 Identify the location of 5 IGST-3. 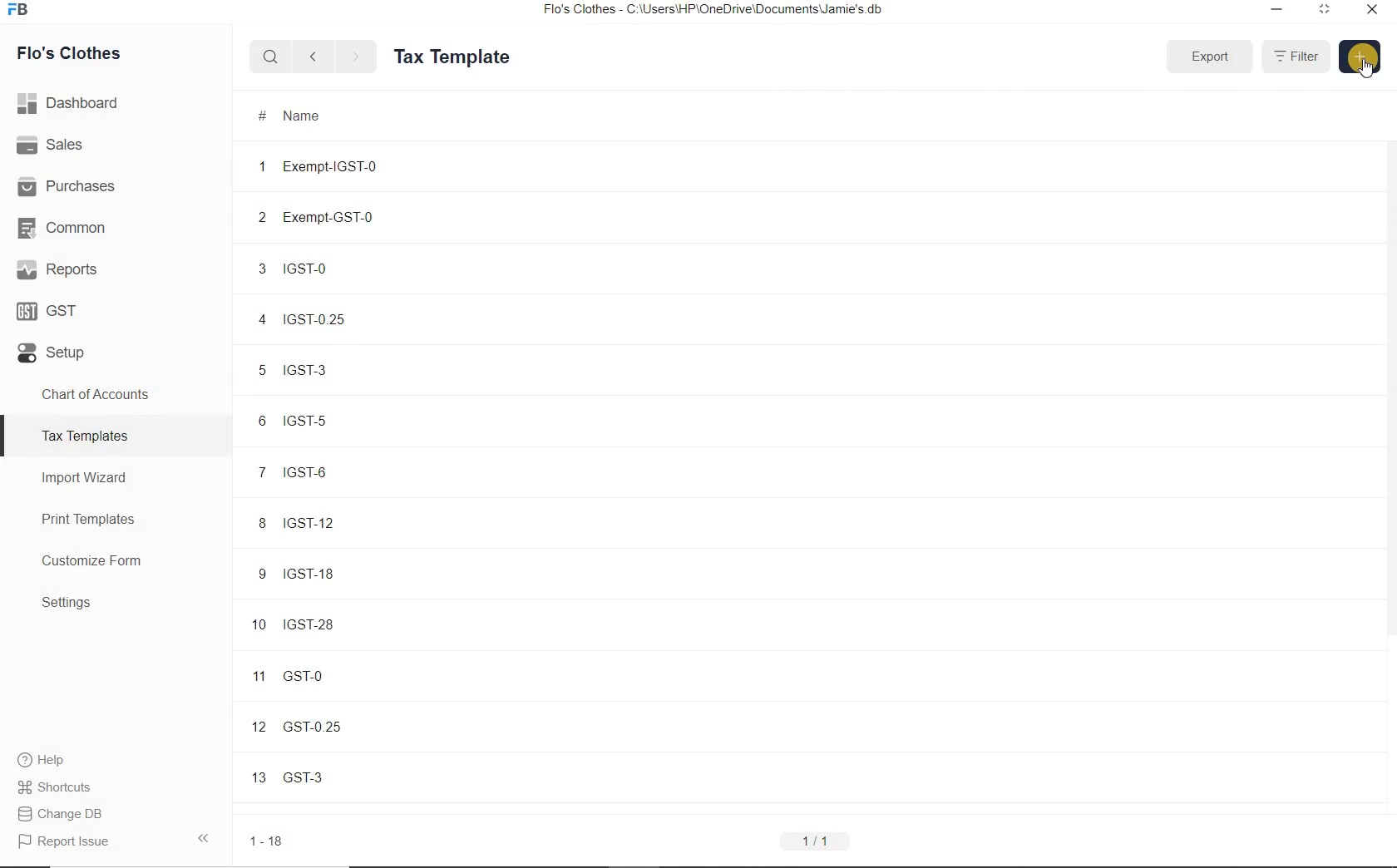
(343, 369).